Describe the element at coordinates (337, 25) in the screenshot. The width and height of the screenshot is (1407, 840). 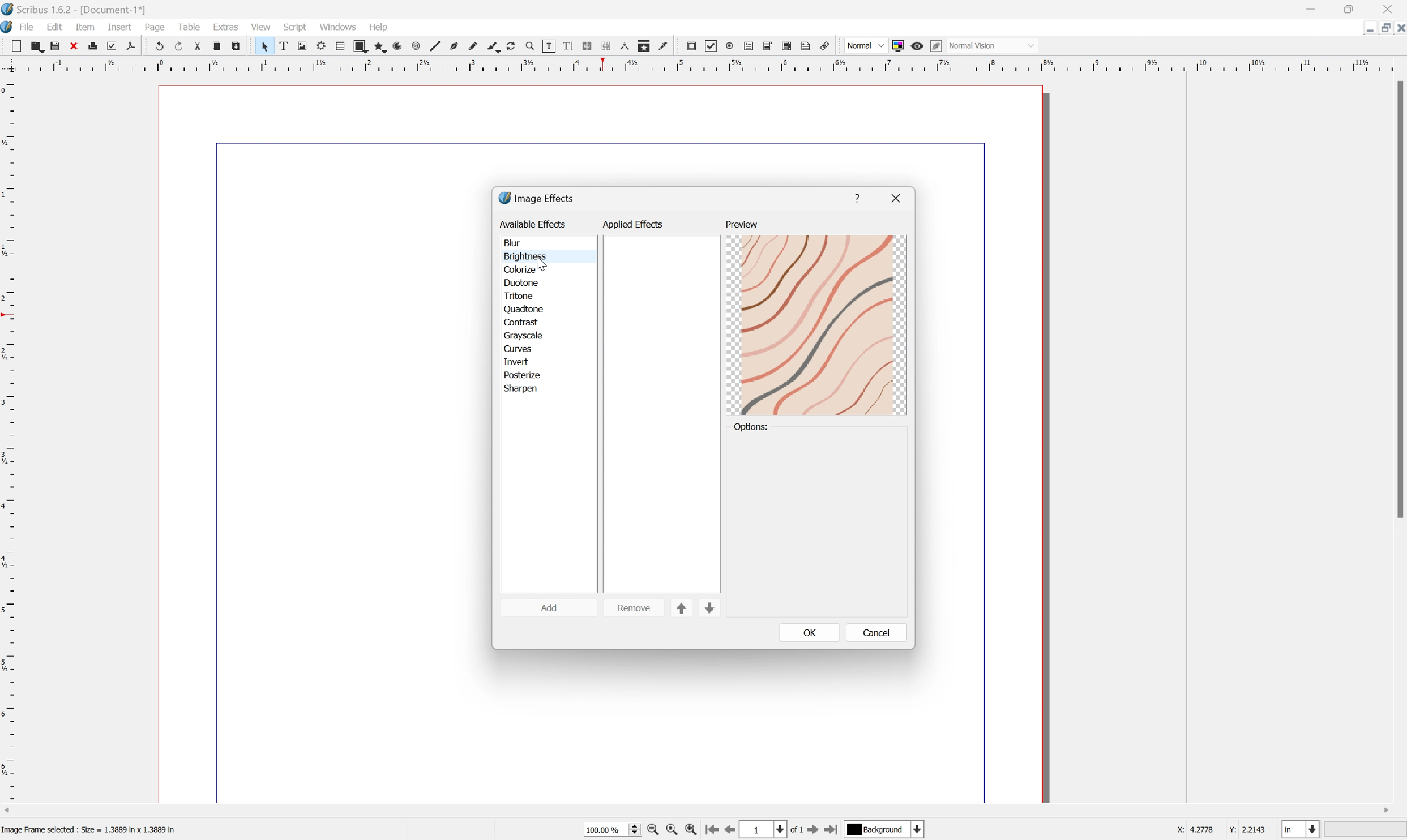
I see `Windows` at that location.